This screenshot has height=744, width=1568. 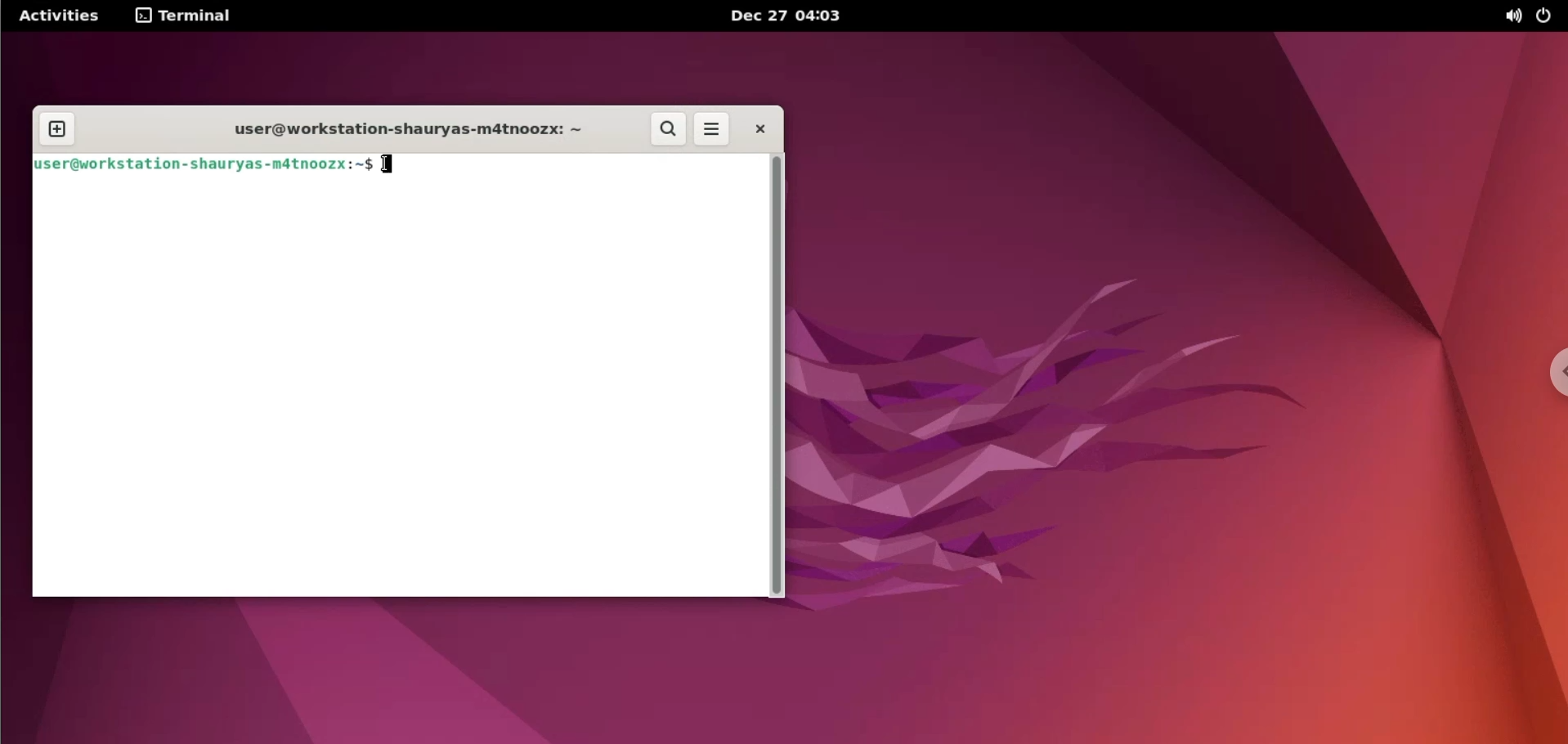 What do you see at coordinates (669, 130) in the screenshot?
I see `search` at bounding box center [669, 130].